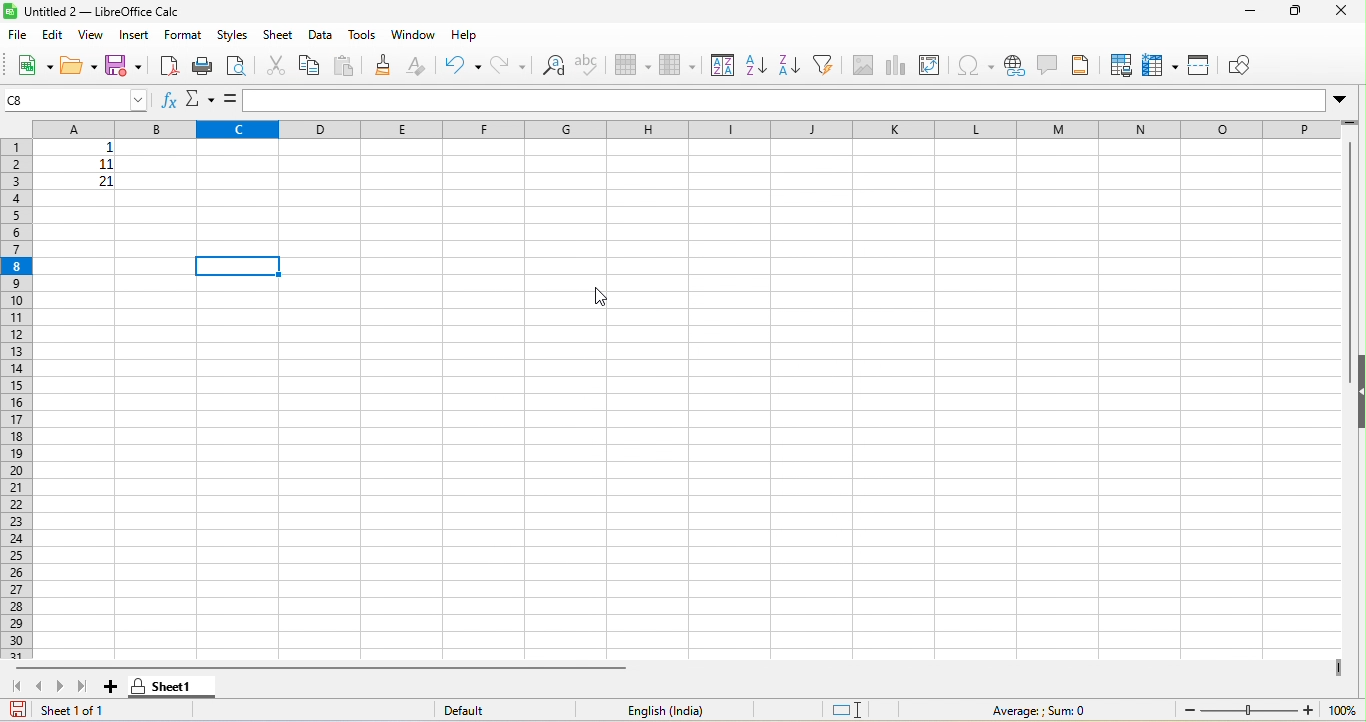  What do you see at coordinates (598, 64) in the screenshot?
I see `spelling` at bounding box center [598, 64].